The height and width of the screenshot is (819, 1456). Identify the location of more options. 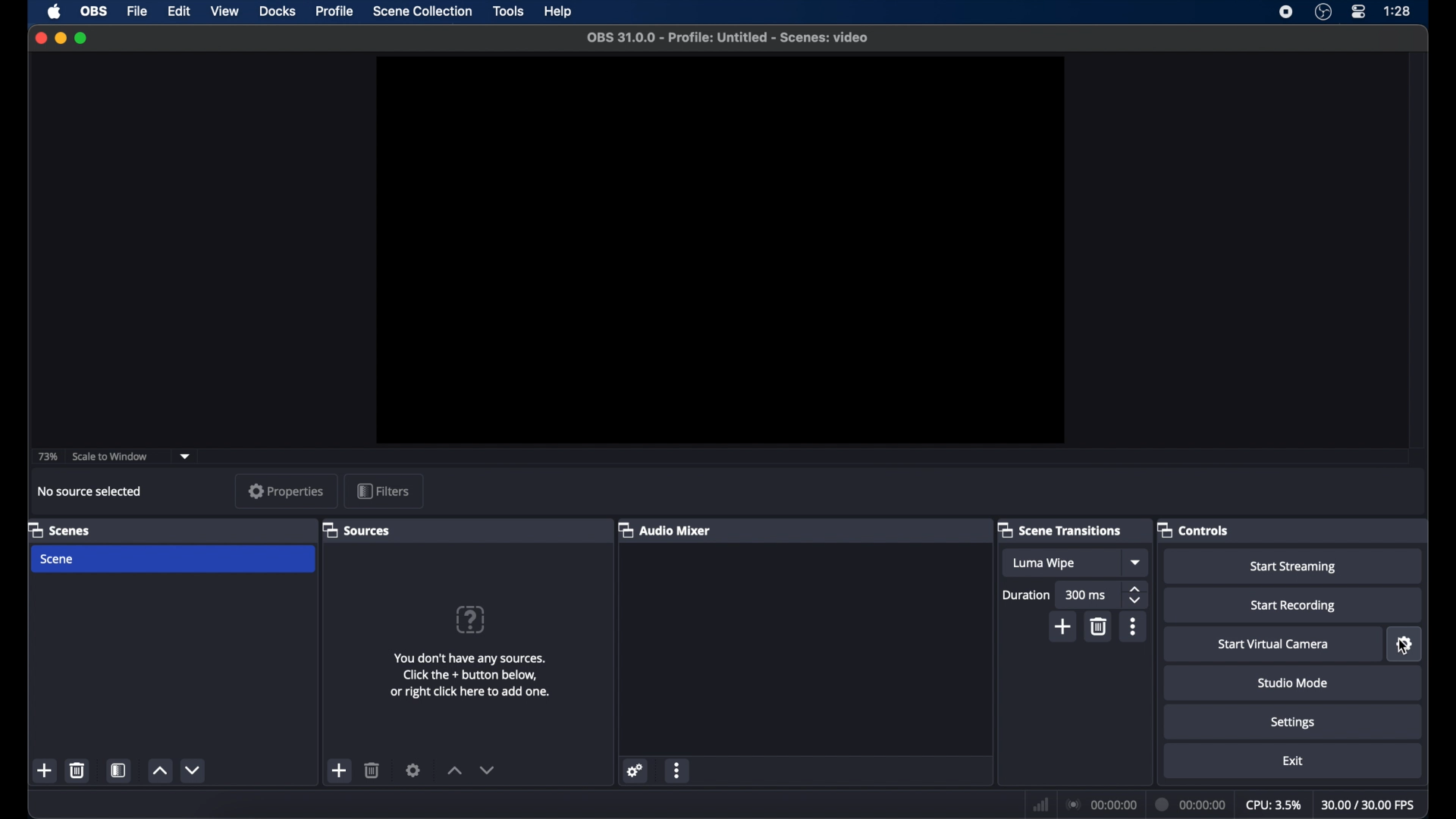
(679, 770).